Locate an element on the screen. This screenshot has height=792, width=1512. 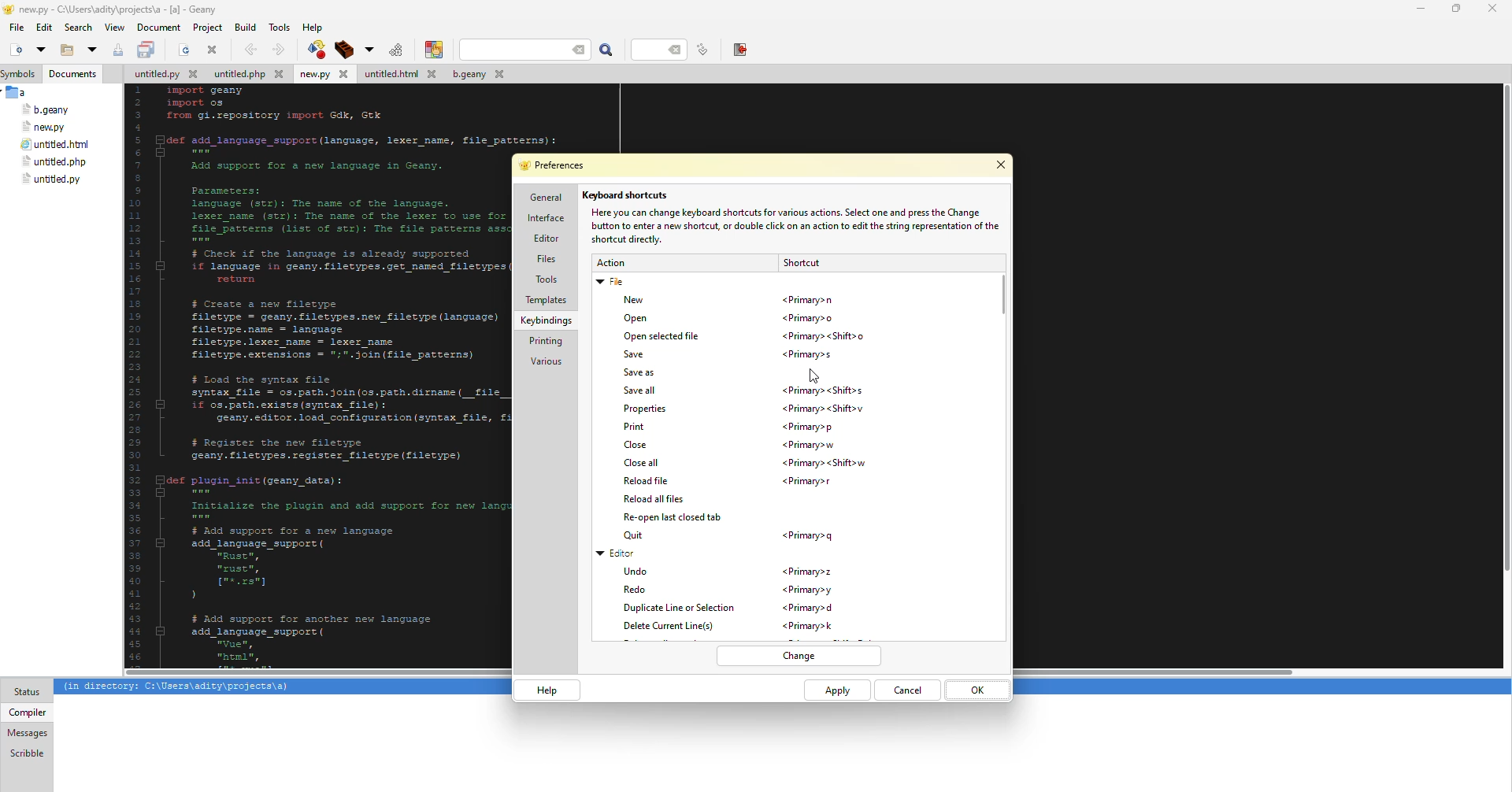
shortcut is located at coordinates (805, 608).